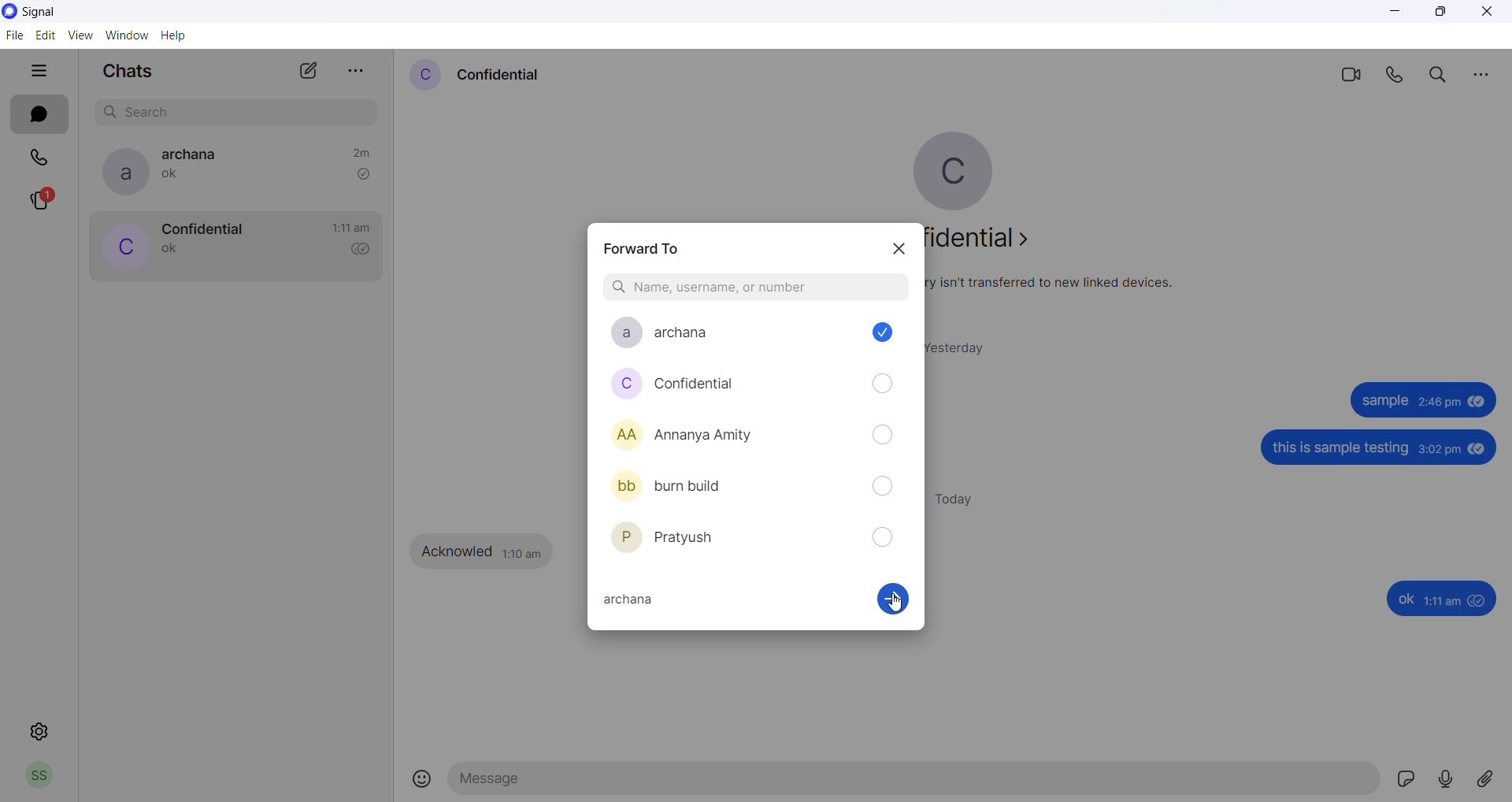 The height and width of the screenshot is (802, 1512). What do you see at coordinates (424, 75) in the screenshot?
I see `contact profile picture` at bounding box center [424, 75].